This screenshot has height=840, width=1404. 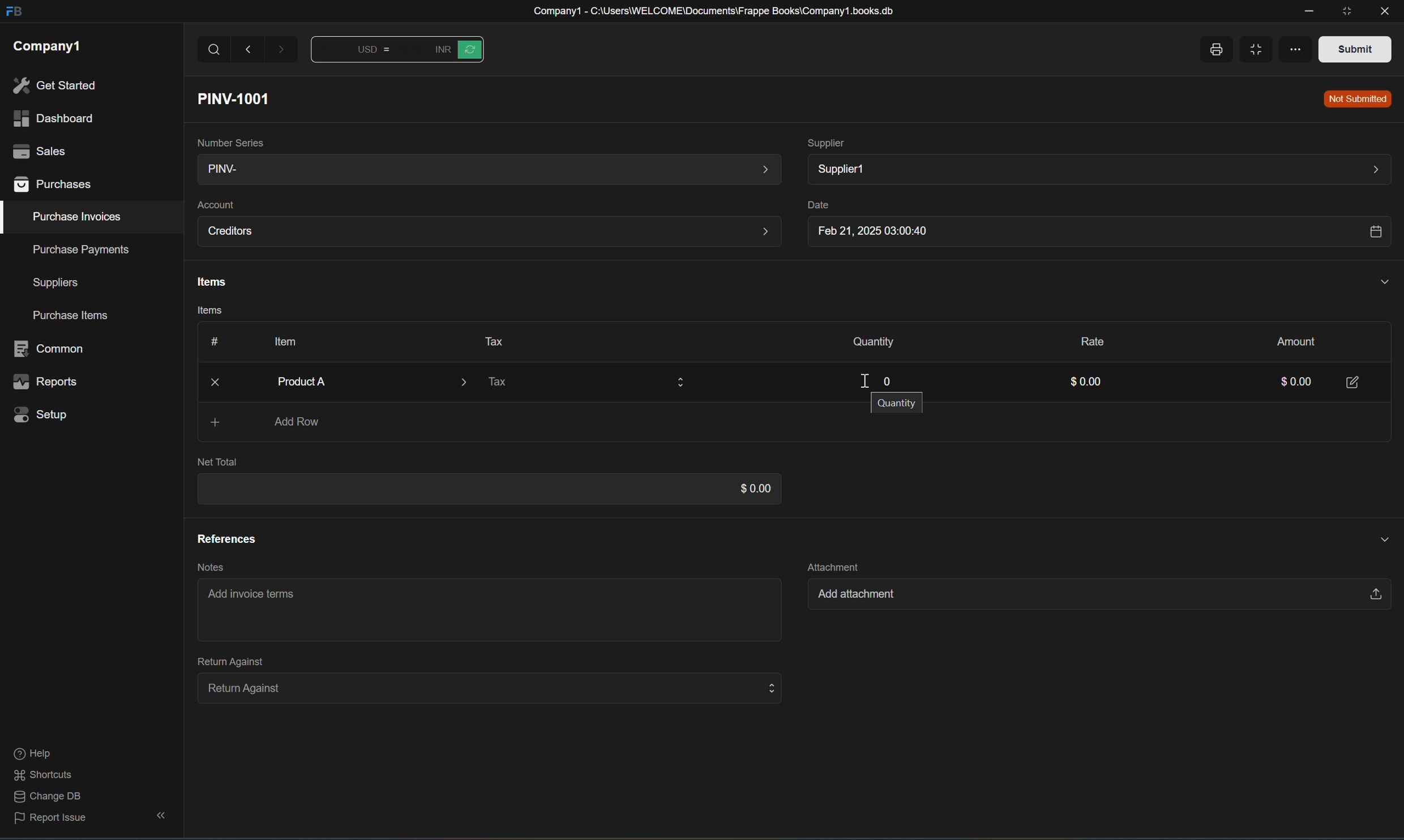 What do you see at coordinates (238, 98) in the screenshot?
I see `PINV-1001` at bounding box center [238, 98].